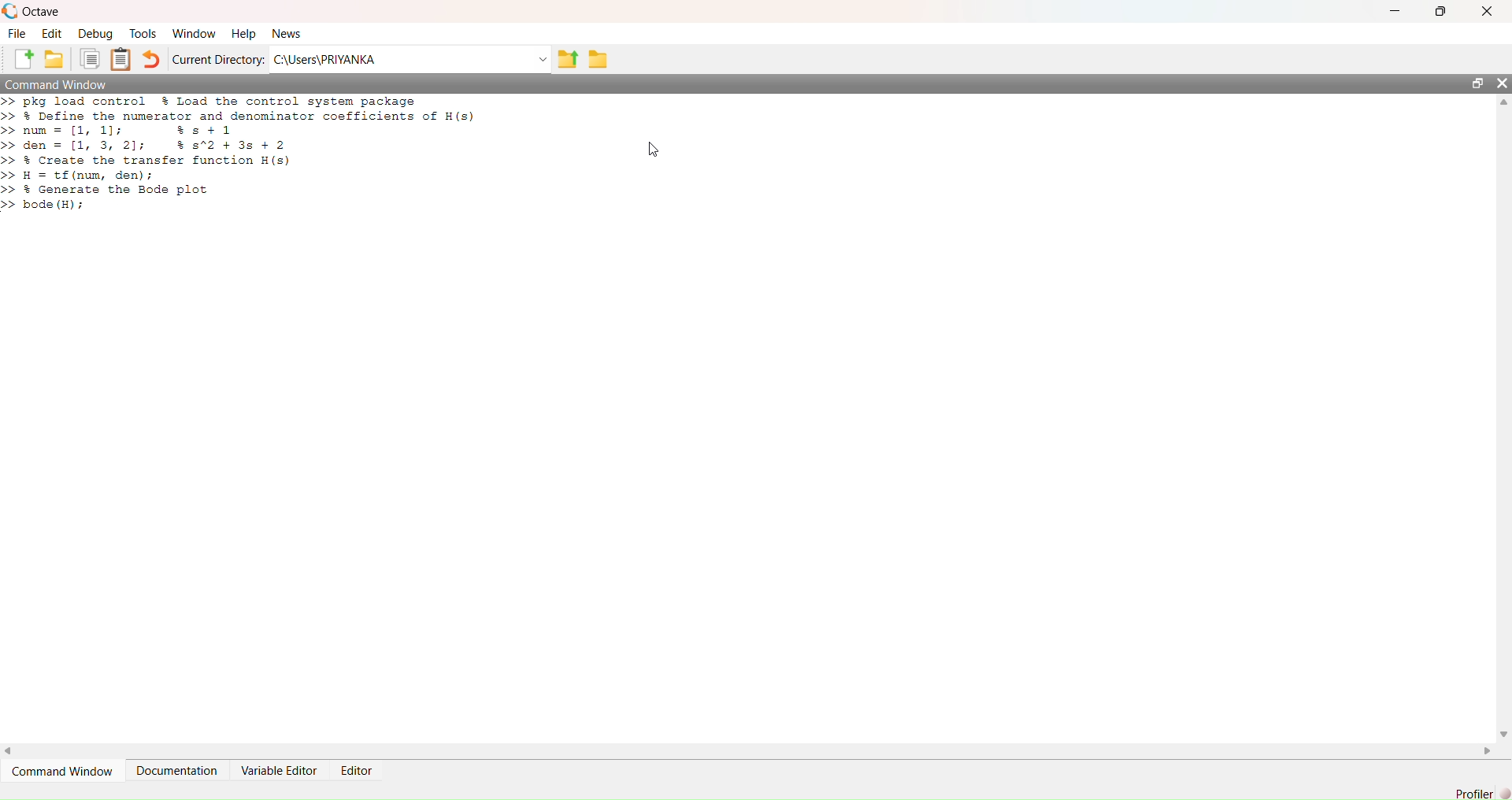  What do you see at coordinates (52, 33) in the screenshot?
I see `Edit` at bounding box center [52, 33].